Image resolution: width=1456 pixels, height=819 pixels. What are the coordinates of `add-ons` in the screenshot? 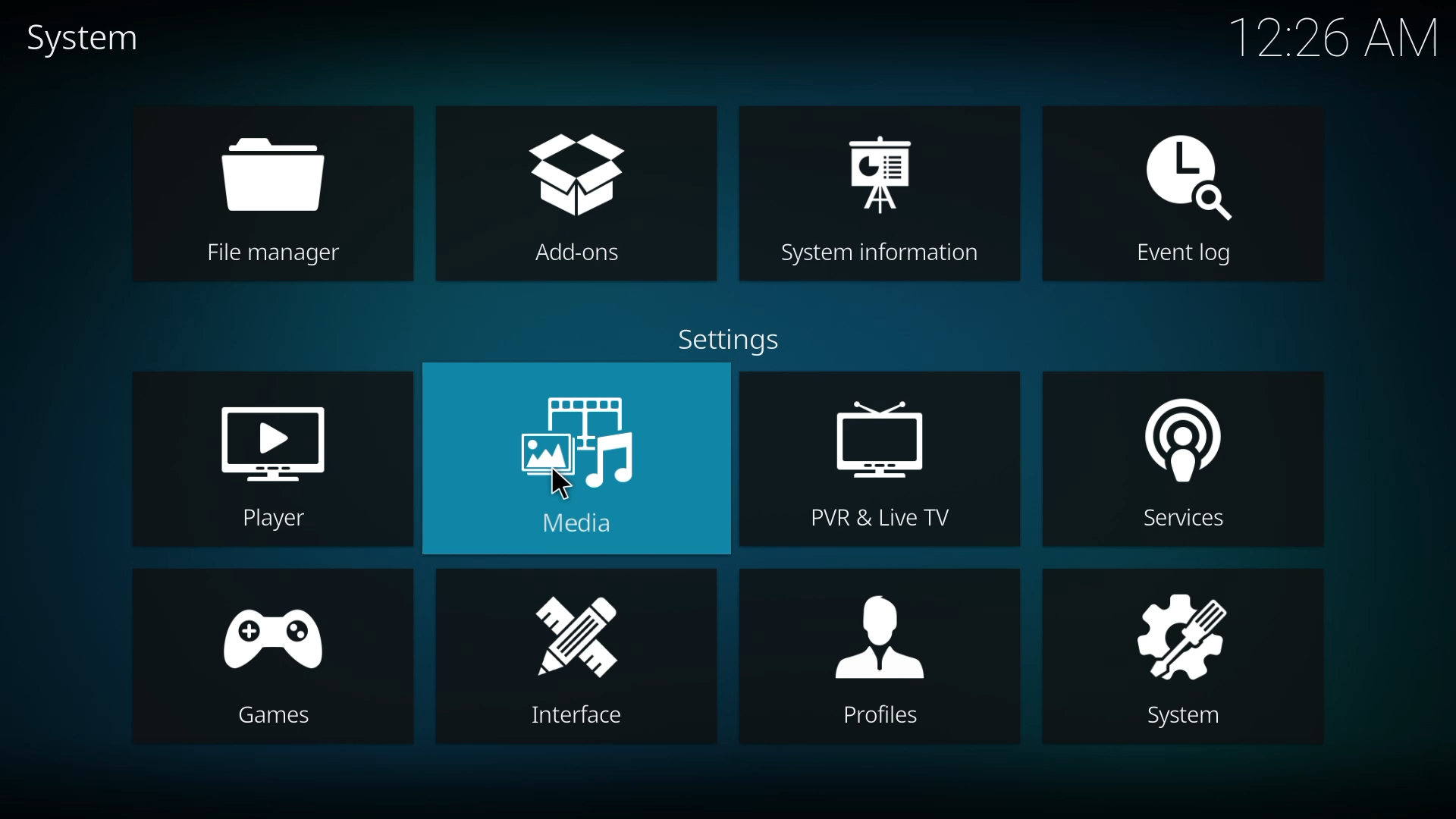 It's located at (579, 196).